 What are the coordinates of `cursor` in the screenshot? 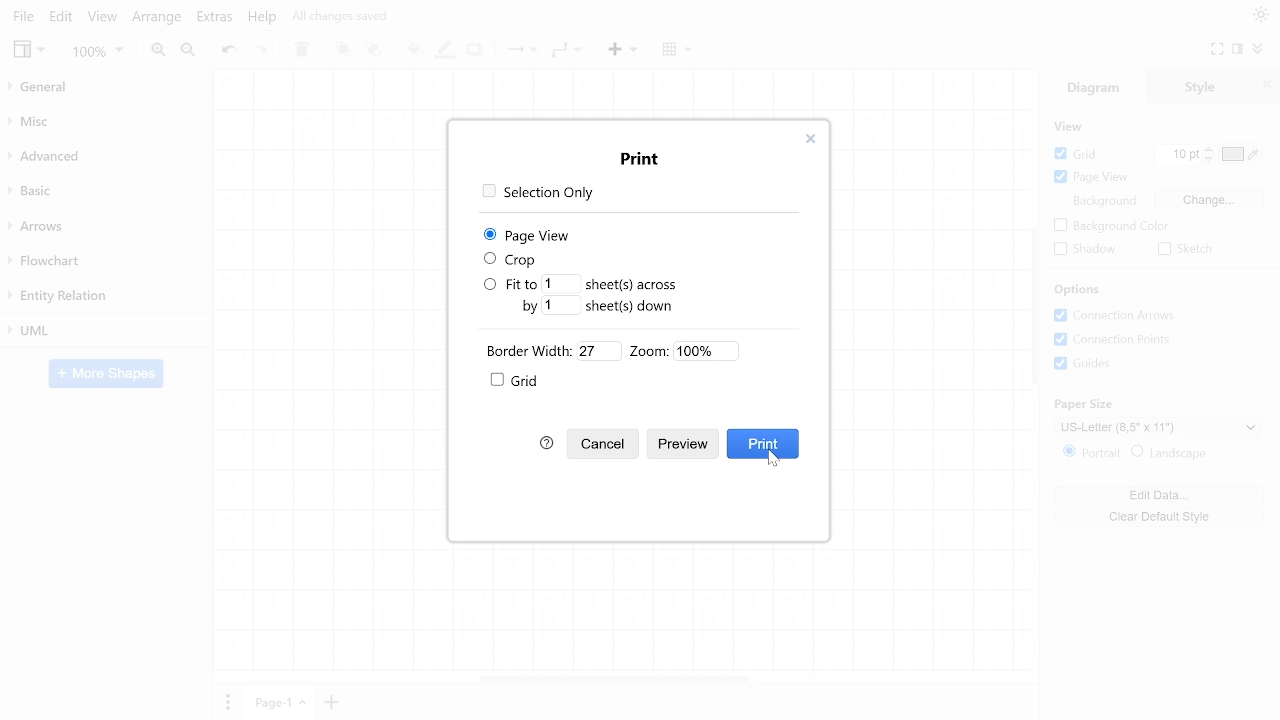 It's located at (774, 461).